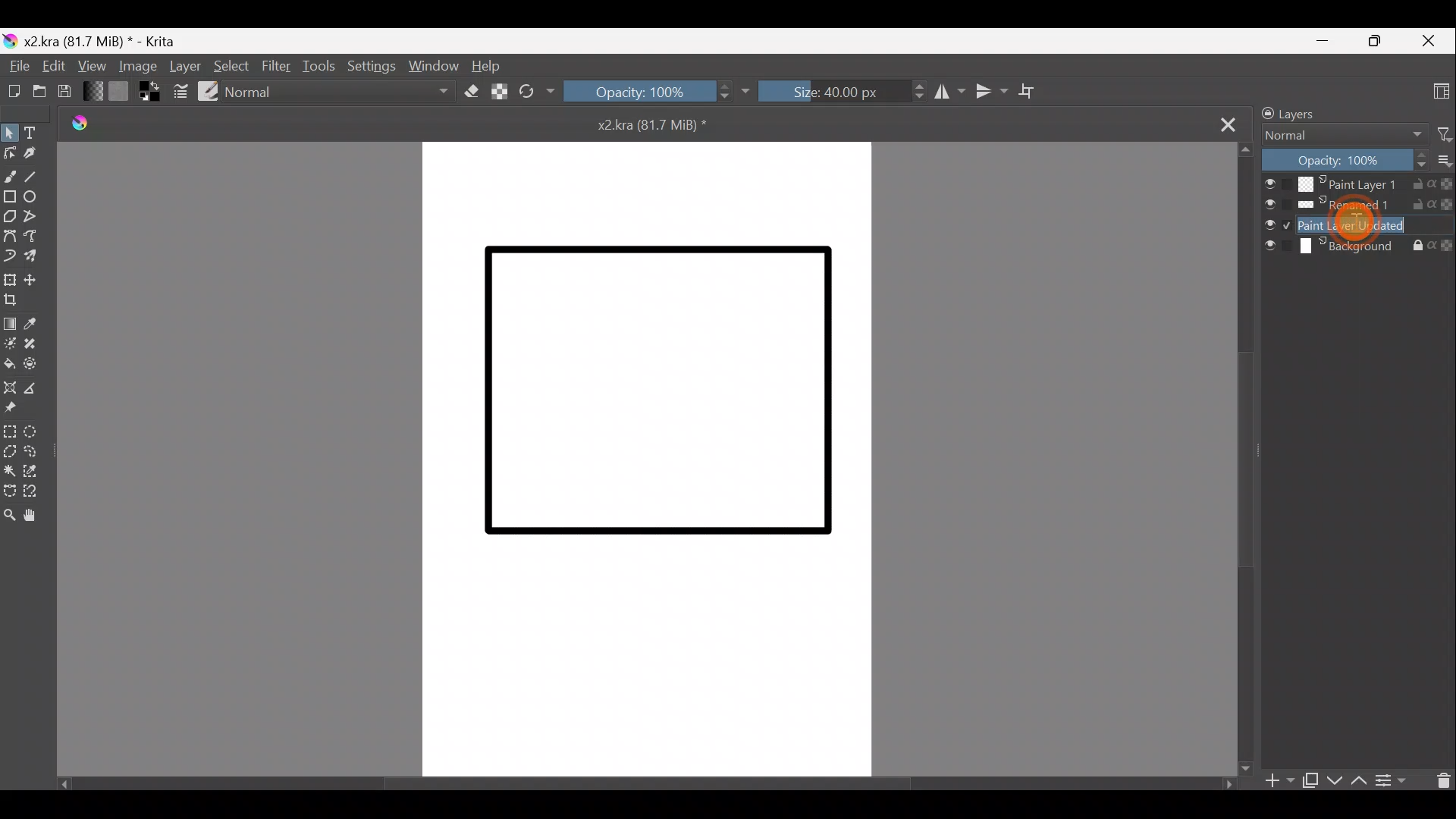  I want to click on View/change layer properties, so click(1395, 779).